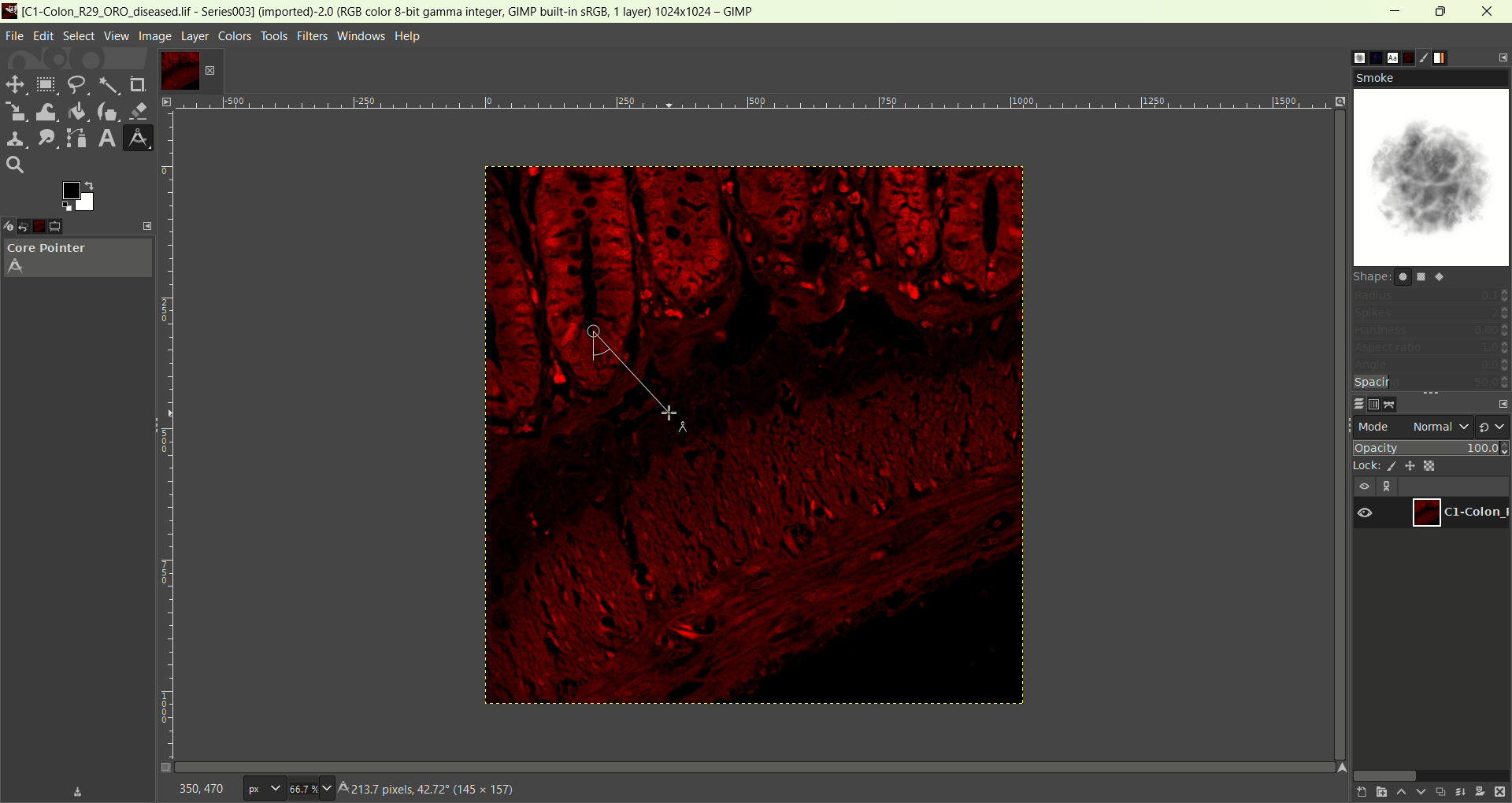 This screenshot has height=803, width=1512. Describe the element at coordinates (76, 111) in the screenshot. I see `color bucket` at that location.